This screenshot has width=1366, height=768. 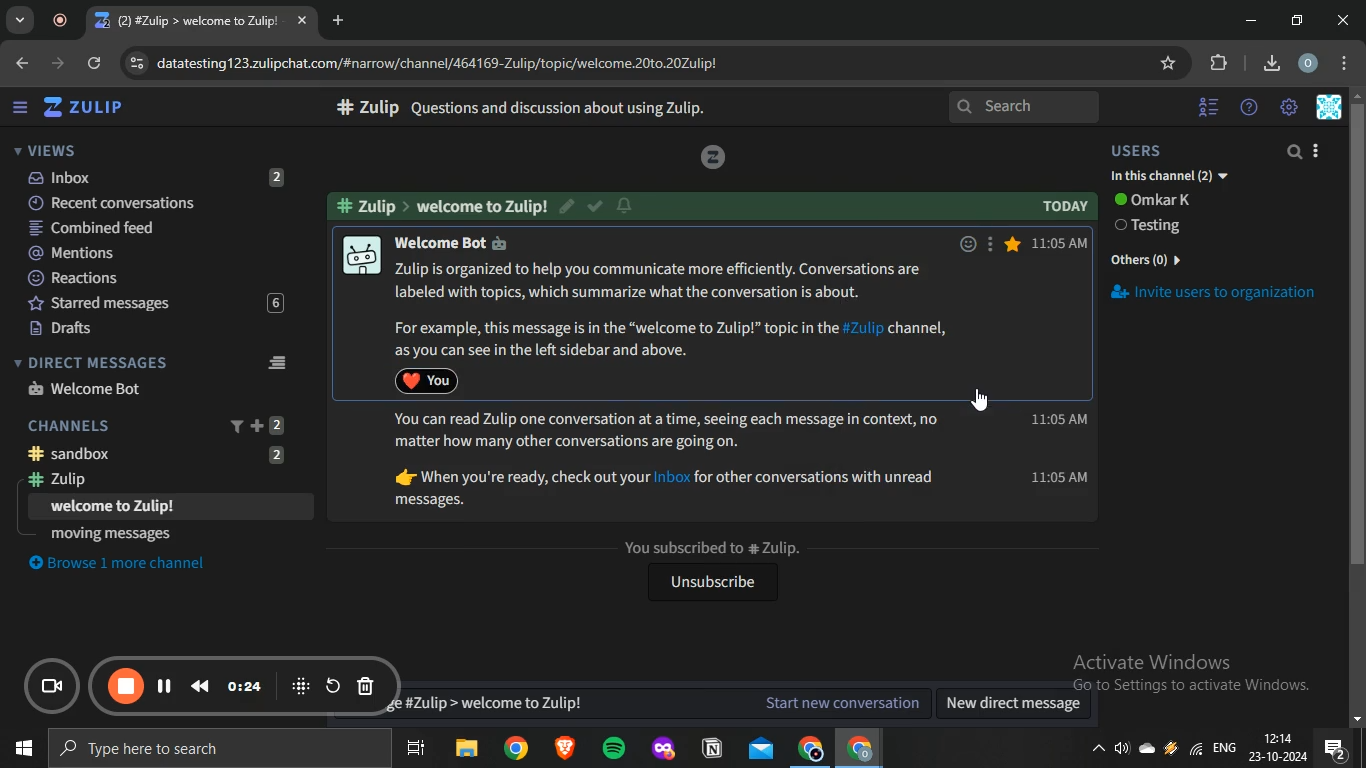 I want to click on bookmark this page, so click(x=1170, y=63).